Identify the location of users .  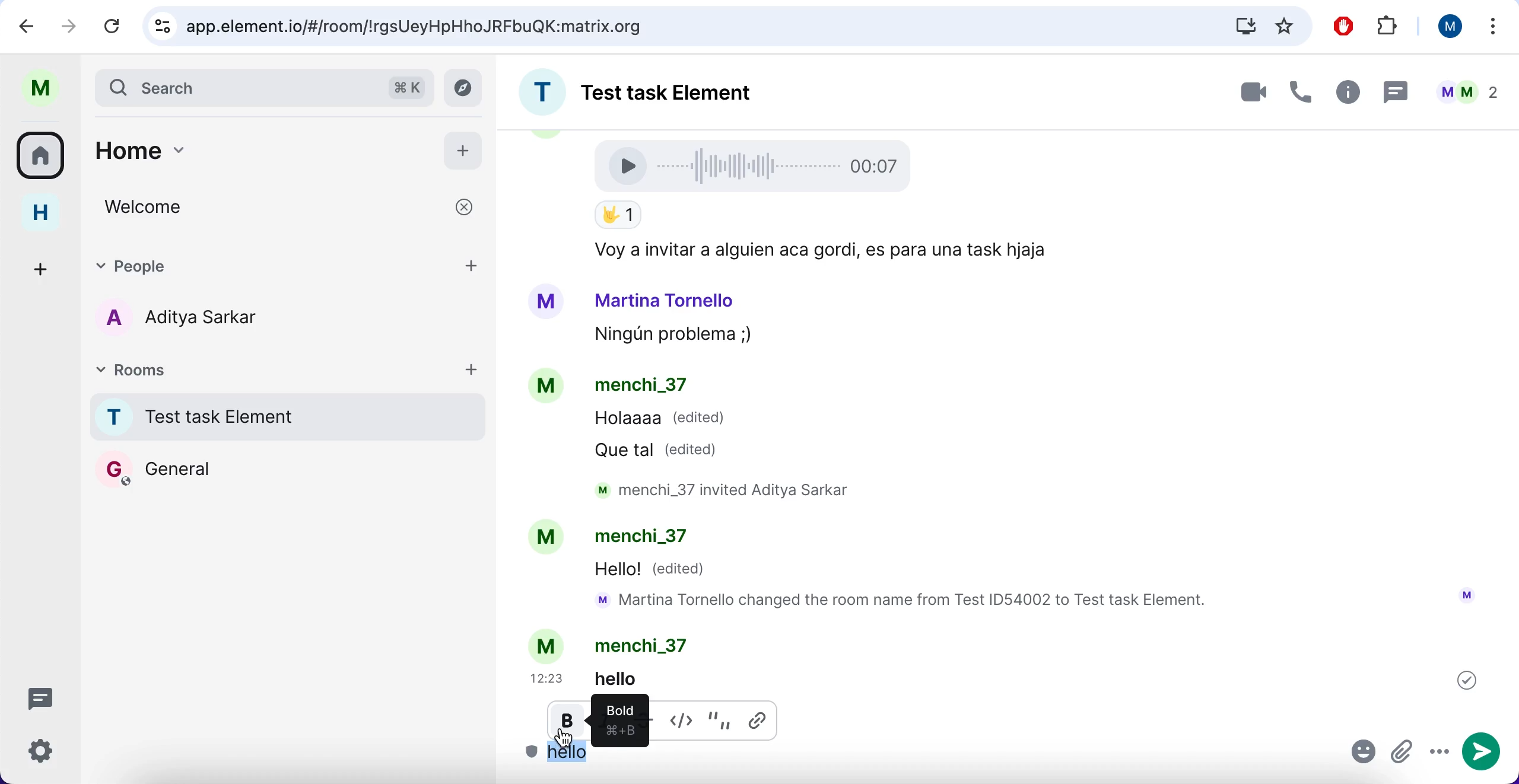
(198, 320).